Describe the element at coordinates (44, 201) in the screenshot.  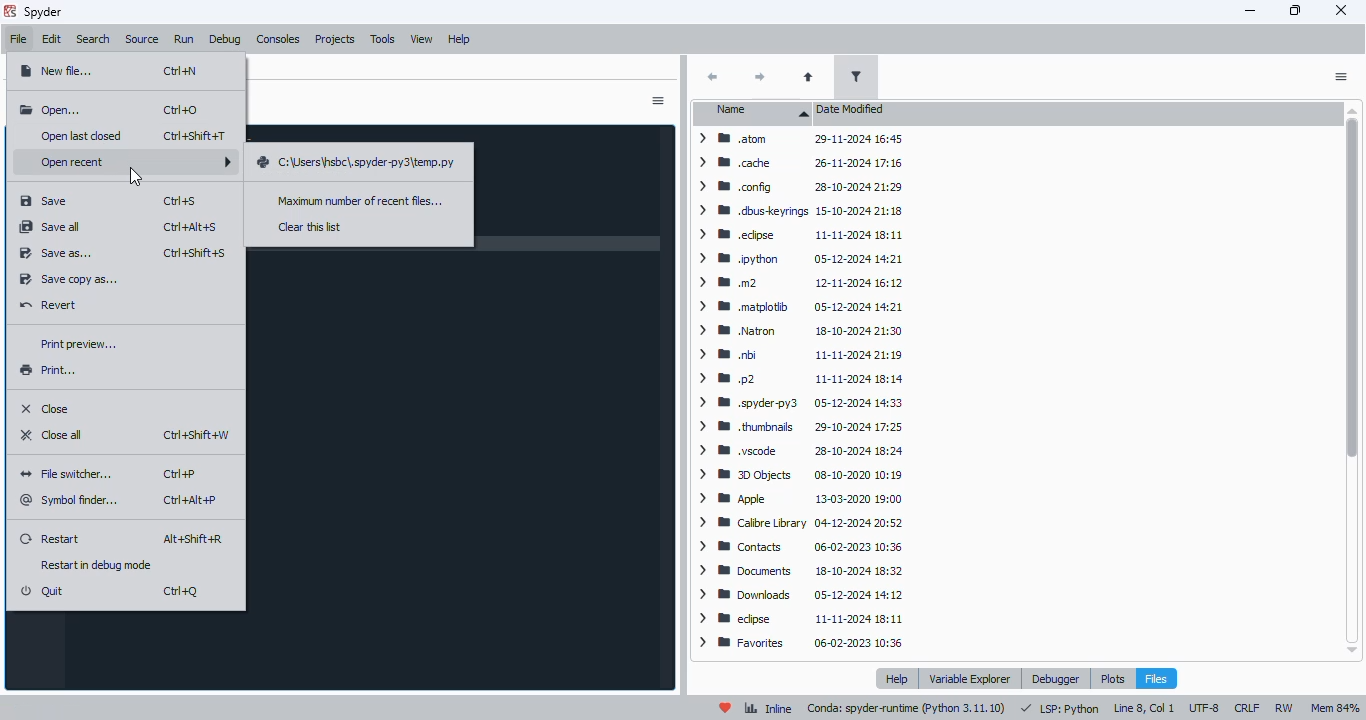
I see `save` at that location.